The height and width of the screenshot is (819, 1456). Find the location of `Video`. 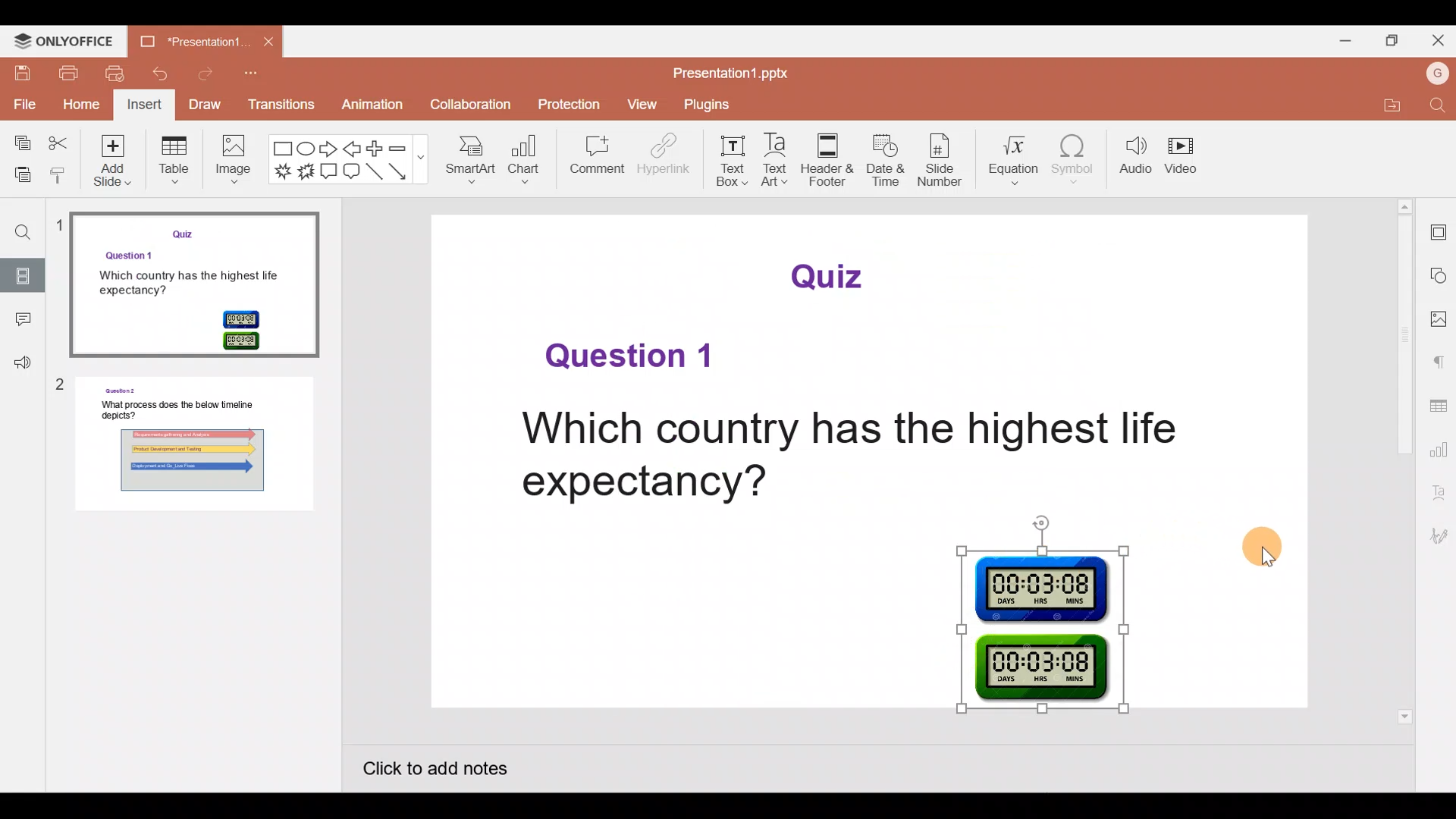

Video is located at coordinates (1187, 152).